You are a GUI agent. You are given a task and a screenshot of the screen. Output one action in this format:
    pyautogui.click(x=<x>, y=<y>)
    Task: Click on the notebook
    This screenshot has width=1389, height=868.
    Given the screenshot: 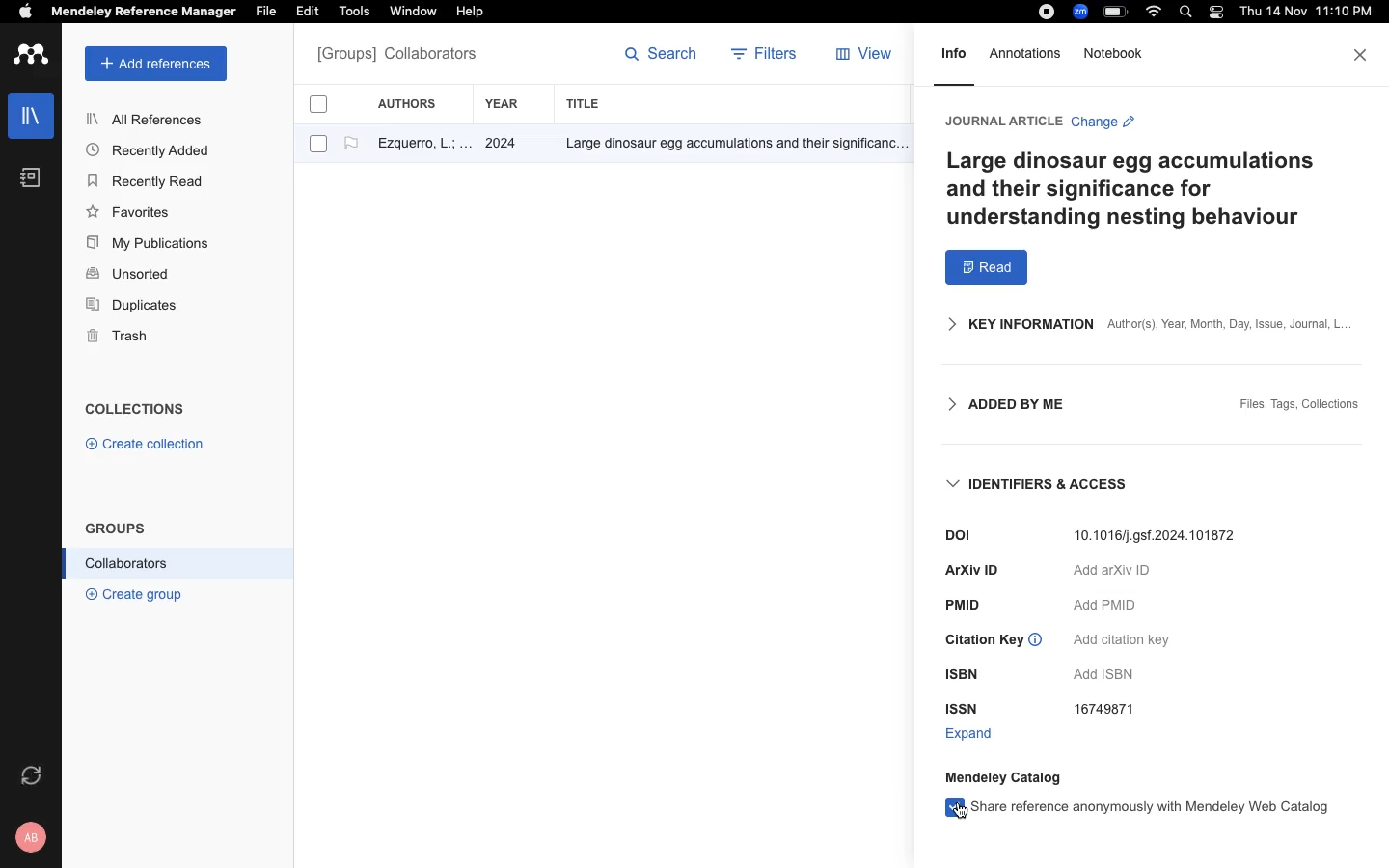 What is the action you would take?
    pyautogui.click(x=31, y=177)
    